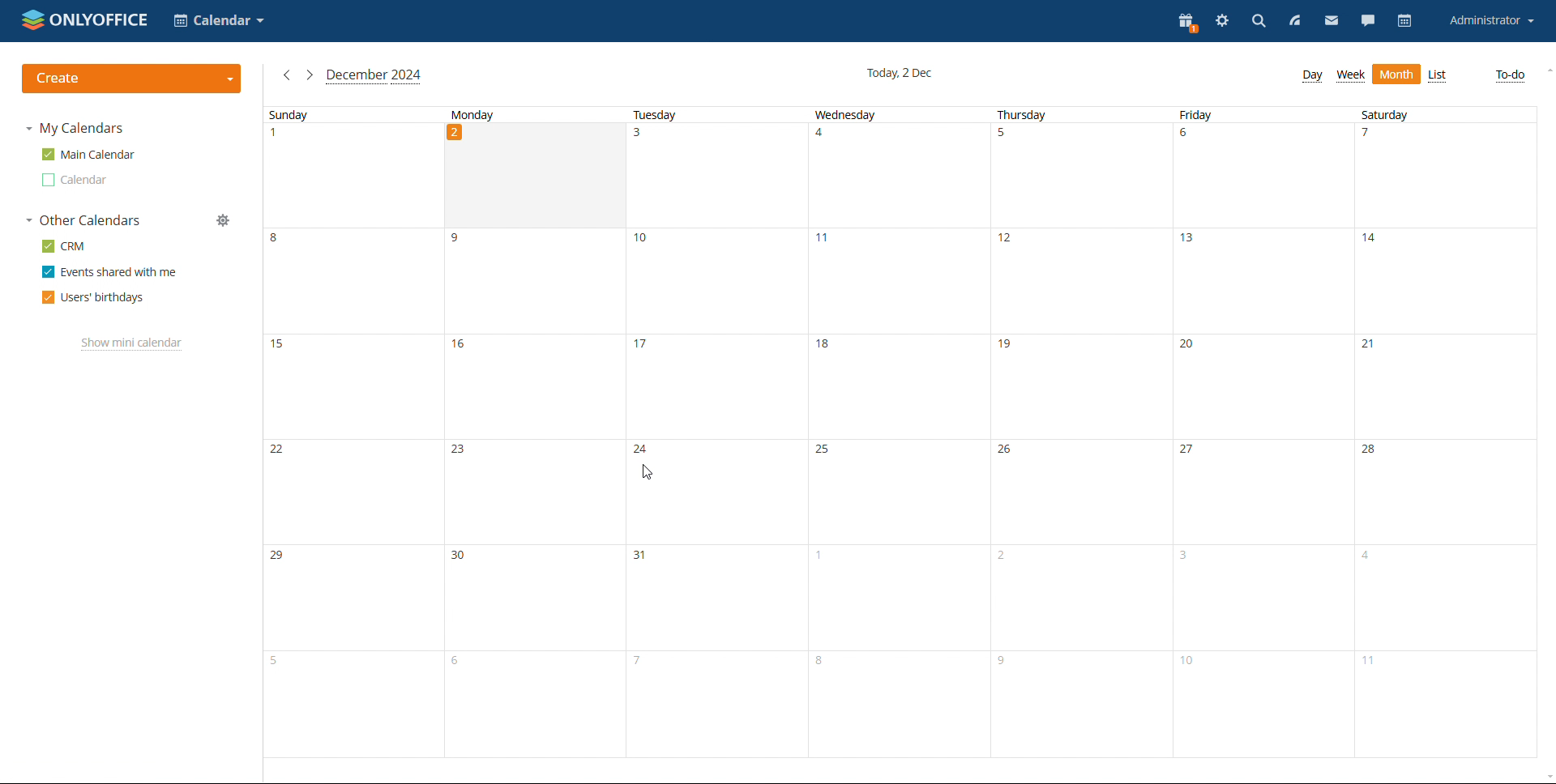 The width and height of the screenshot is (1556, 784). What do you see at coordinates (1196, 115) in the screenshot?
I see `Friday` at bounding box center [1196, 115].